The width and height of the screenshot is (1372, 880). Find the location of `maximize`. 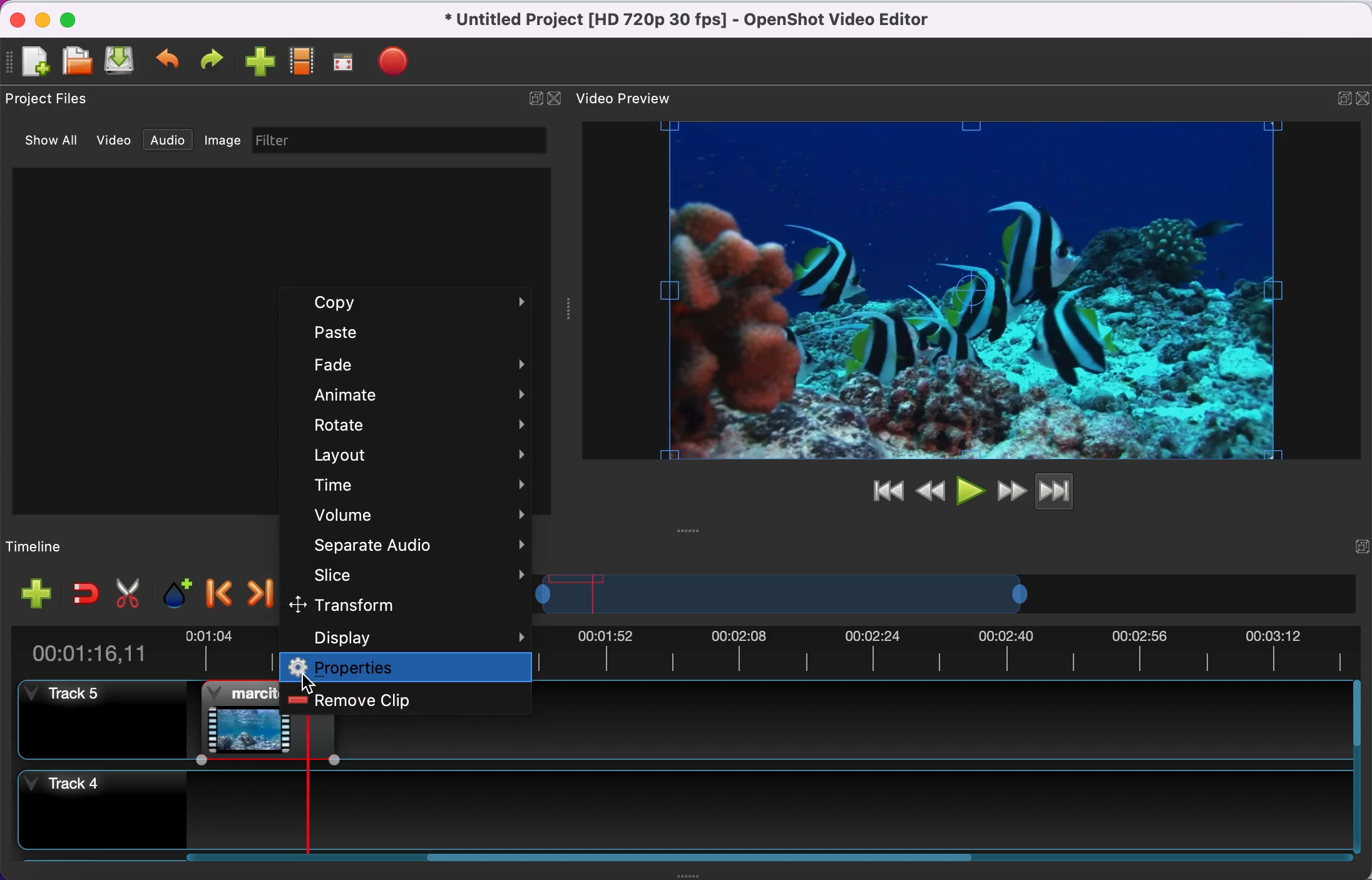

maximize is located at coordinates (76, 18).